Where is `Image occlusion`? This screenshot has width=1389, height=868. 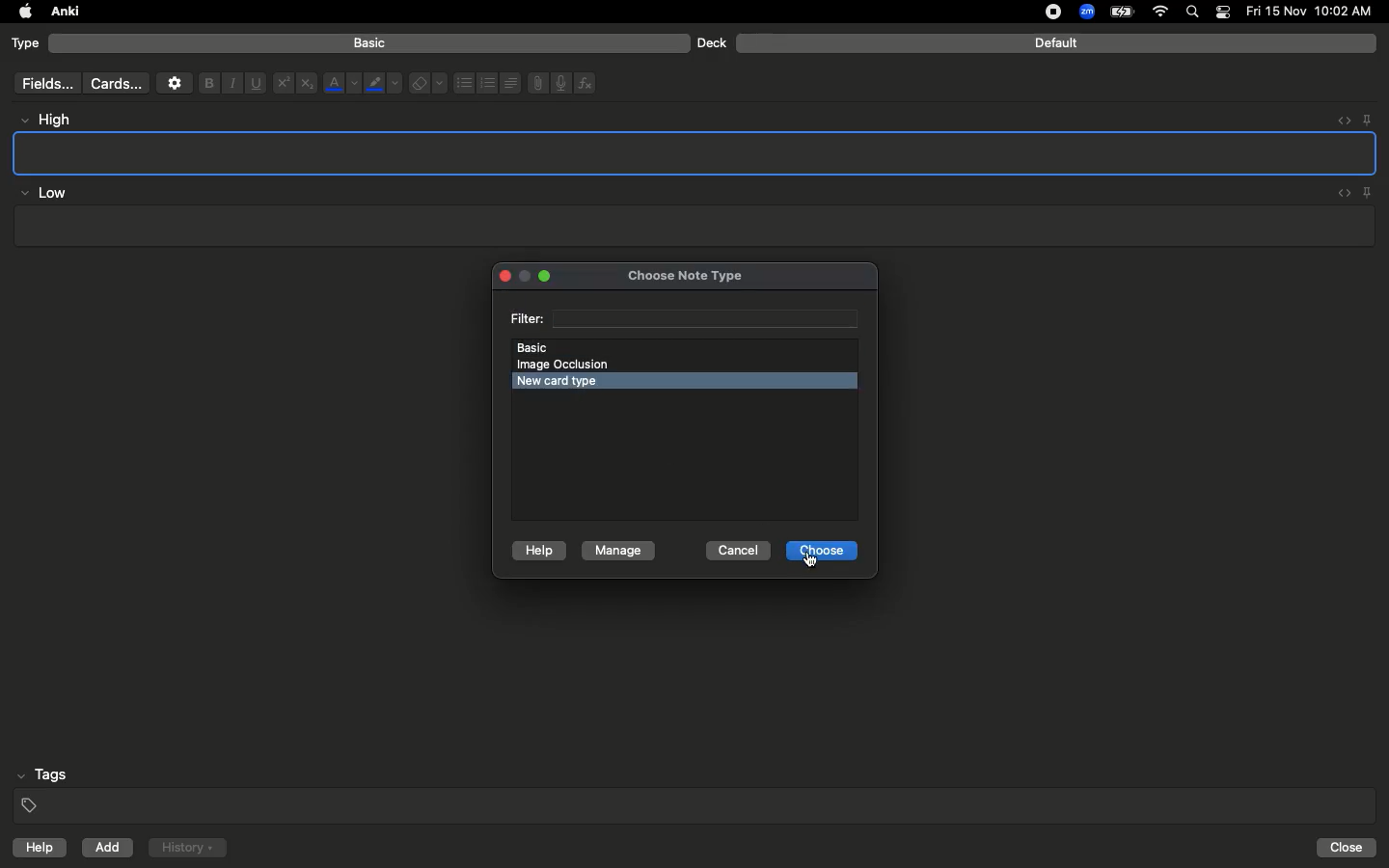
Image occlusion is located at coordinates (571, 365).